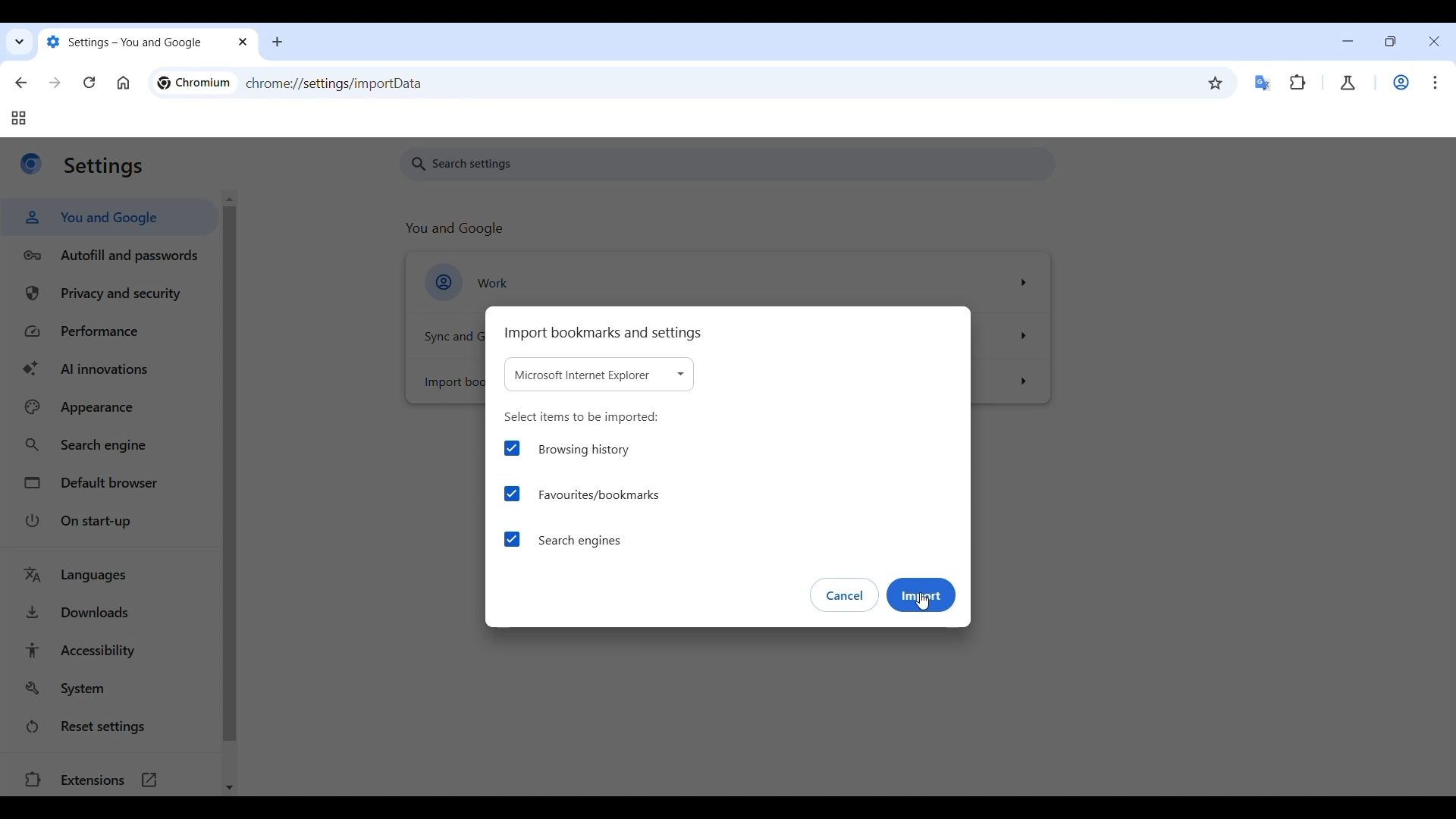  Describe the element at coordinates (111, 446) in the screenshot. I see `Search engine` at that location.